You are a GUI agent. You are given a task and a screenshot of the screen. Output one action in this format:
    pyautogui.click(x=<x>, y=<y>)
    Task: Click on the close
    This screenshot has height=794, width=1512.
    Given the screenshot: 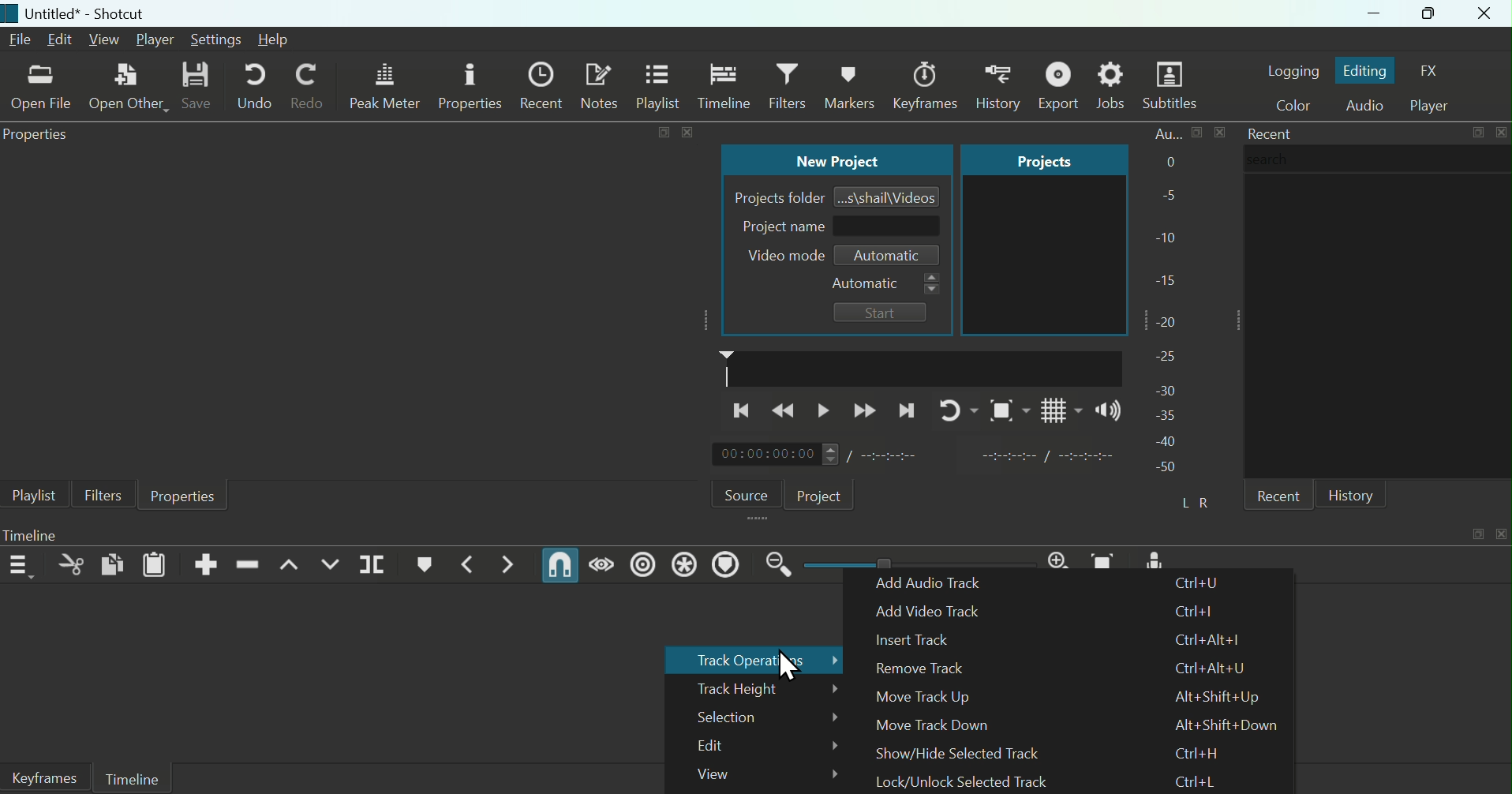 What is the action you would take?
    pyautogui.click(x=1220, y=132)
    